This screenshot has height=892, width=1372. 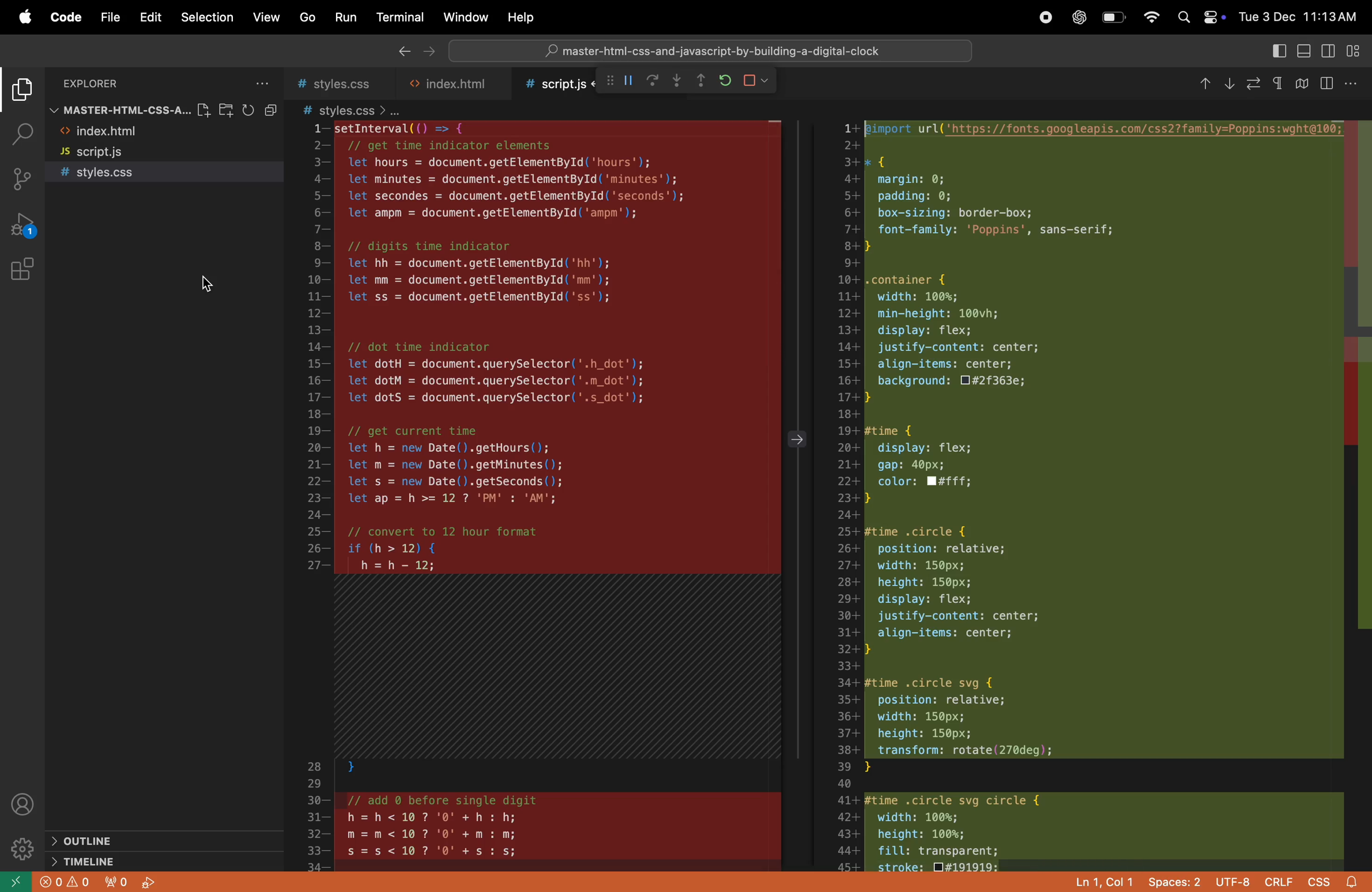 I want to click on options, so click(x=267, y=84).